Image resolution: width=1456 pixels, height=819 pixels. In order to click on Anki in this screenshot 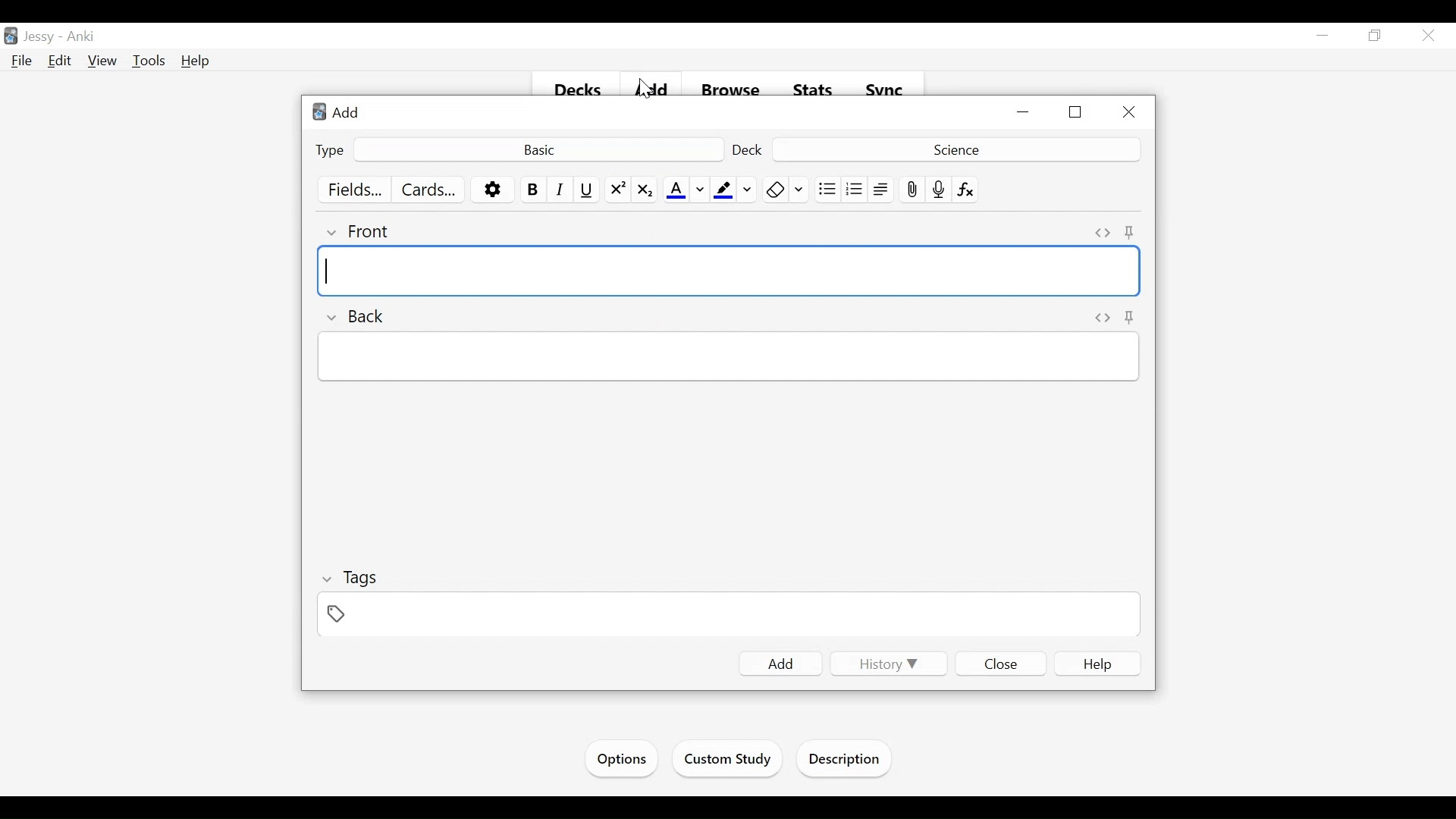, I will do `click(81, 37)`.